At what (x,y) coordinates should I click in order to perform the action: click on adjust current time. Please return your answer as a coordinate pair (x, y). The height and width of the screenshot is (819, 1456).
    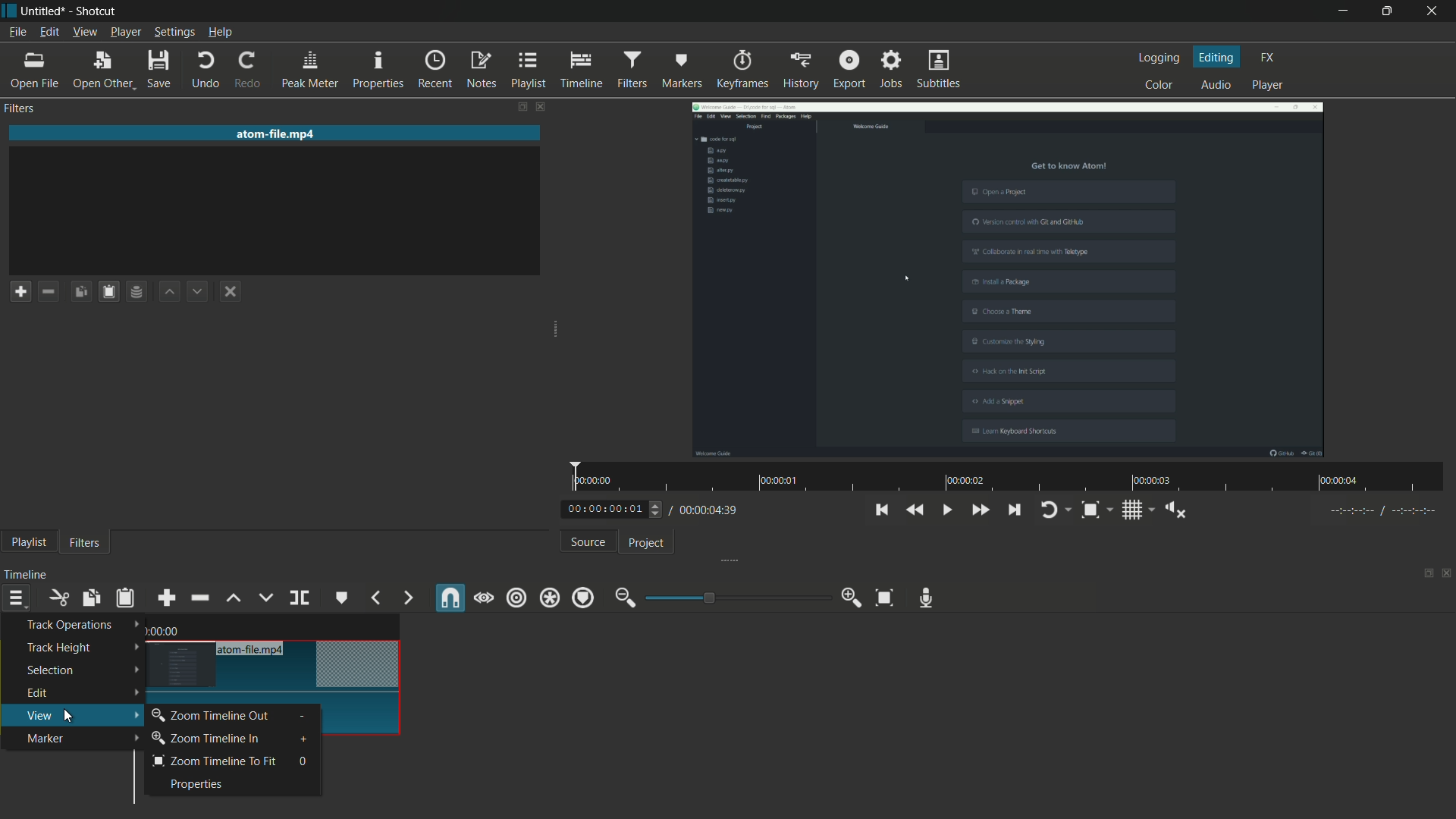
    Looking at the image, I should click on (615, 508).